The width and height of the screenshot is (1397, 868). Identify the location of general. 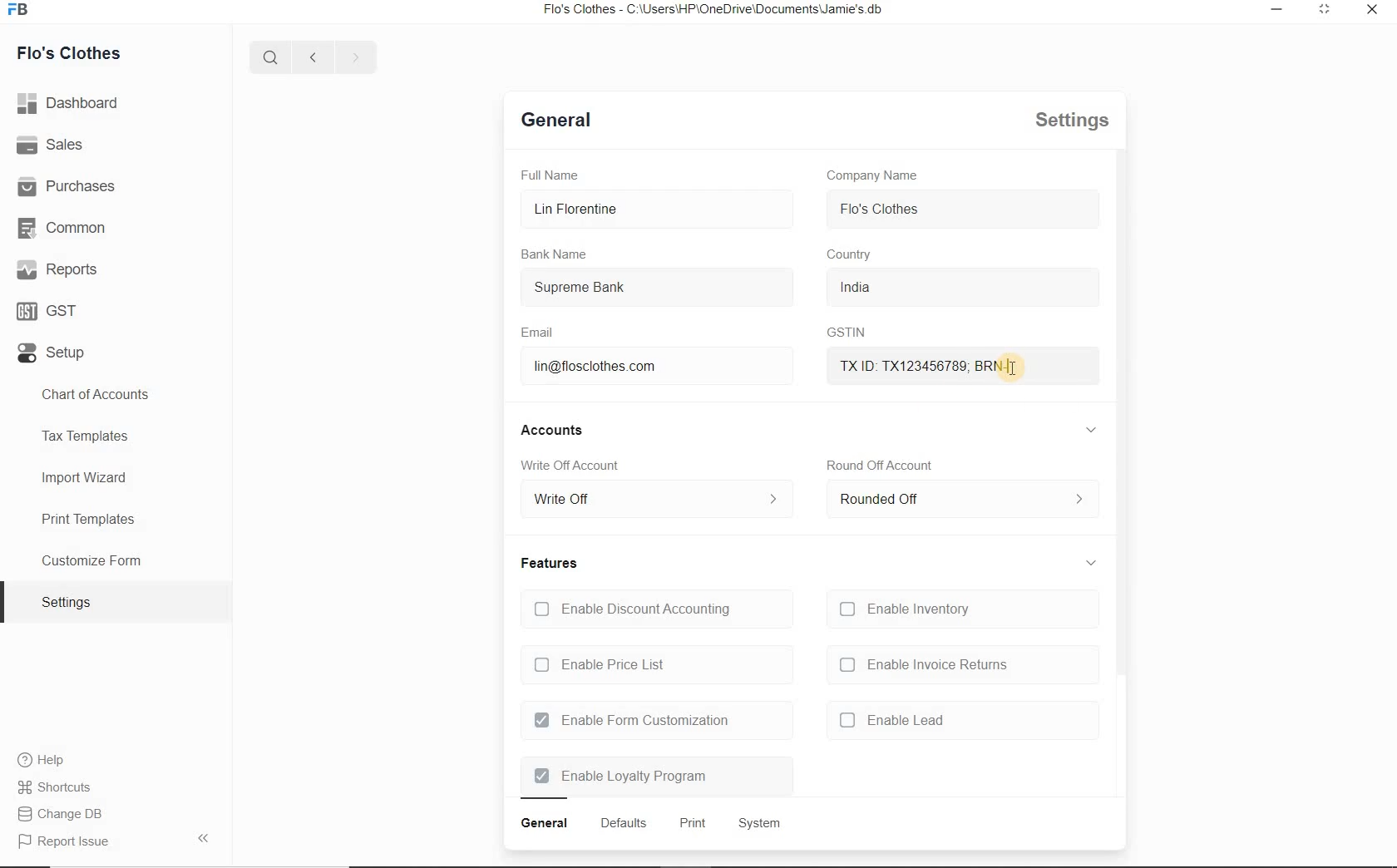
(558, 123).